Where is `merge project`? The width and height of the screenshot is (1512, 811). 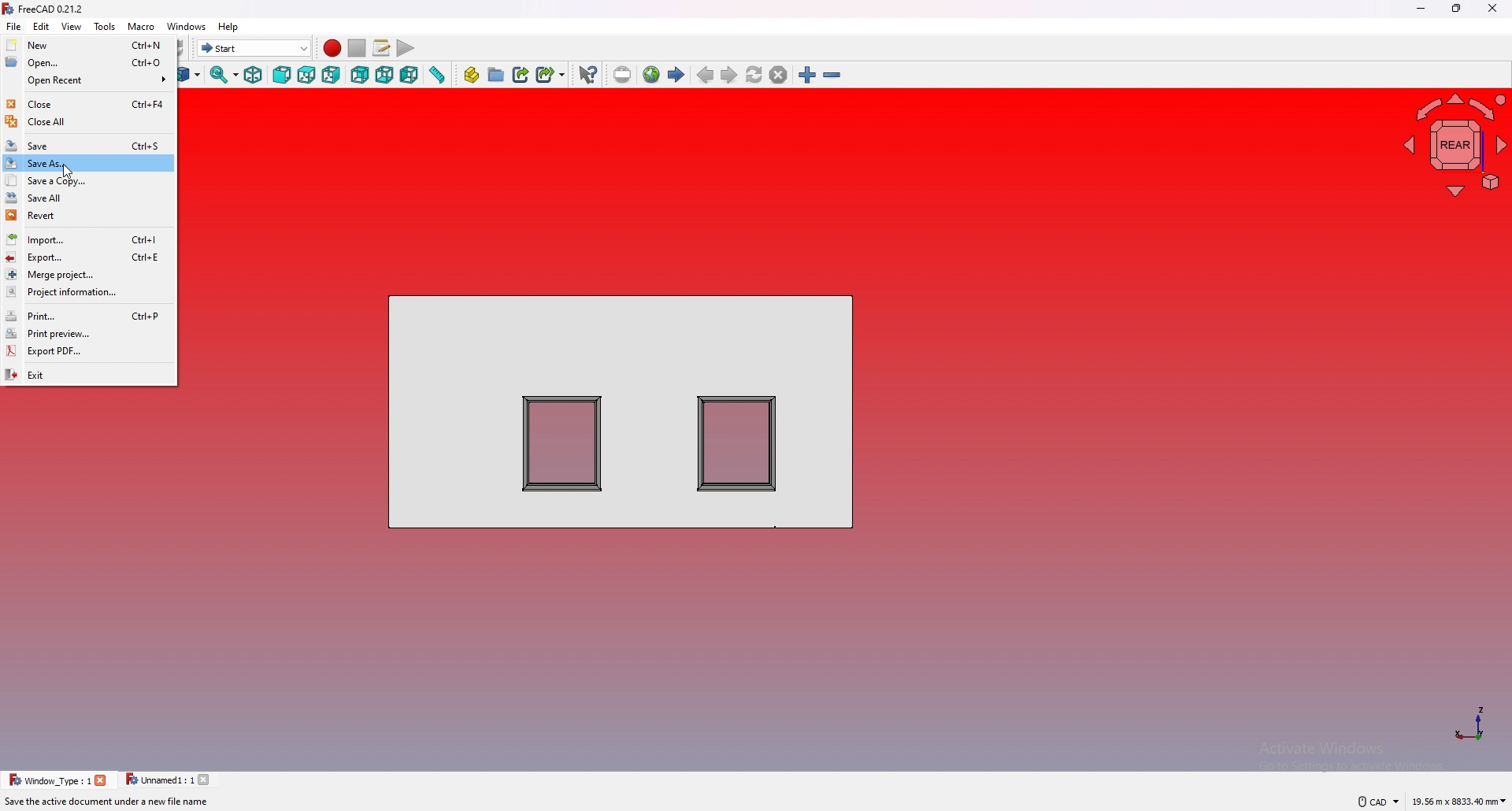 merge project is located at coordinates (88, 273).